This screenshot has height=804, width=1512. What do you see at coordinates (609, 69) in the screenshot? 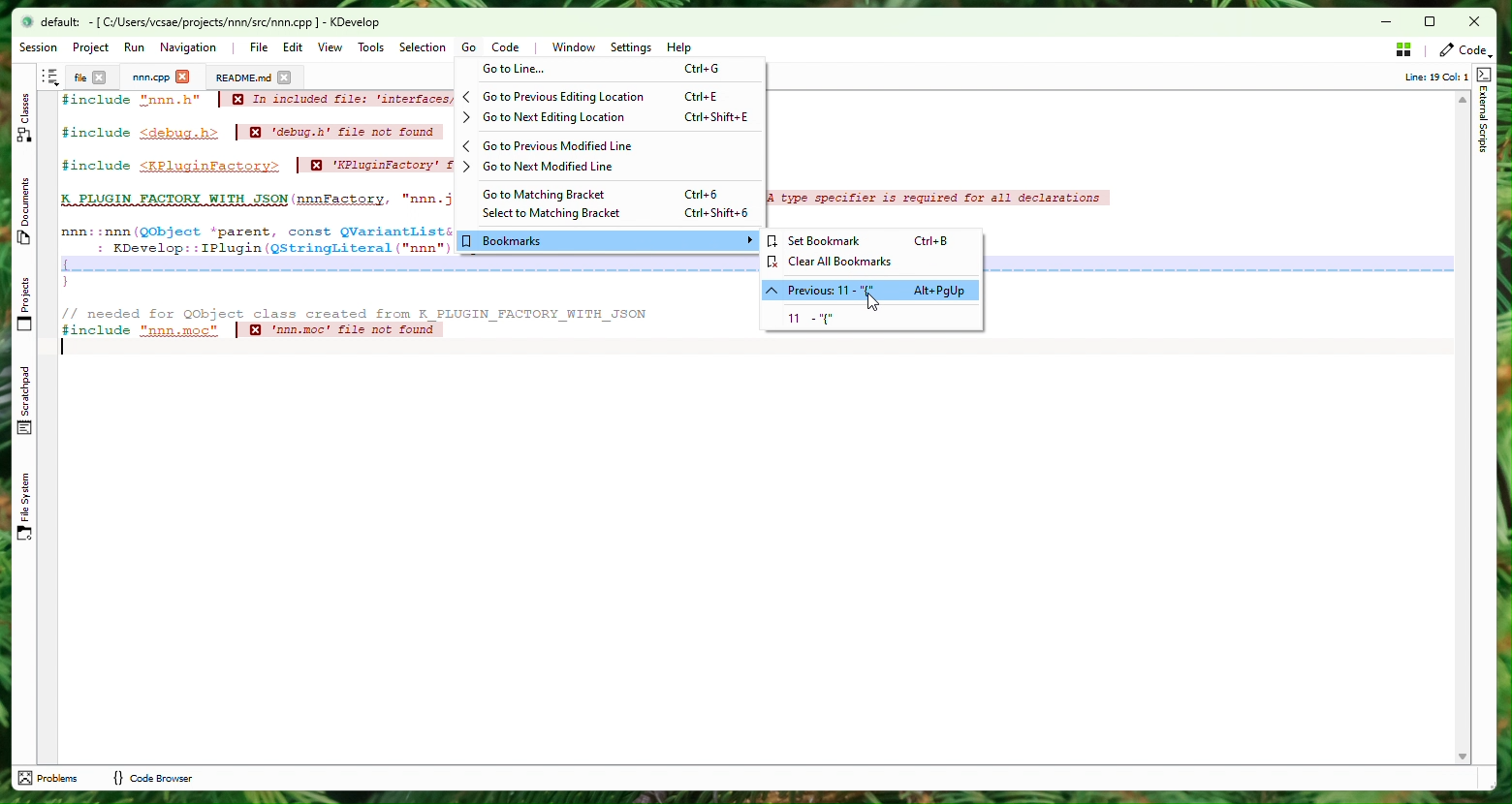
I see `Go to line` at bounding box center [609, 69].